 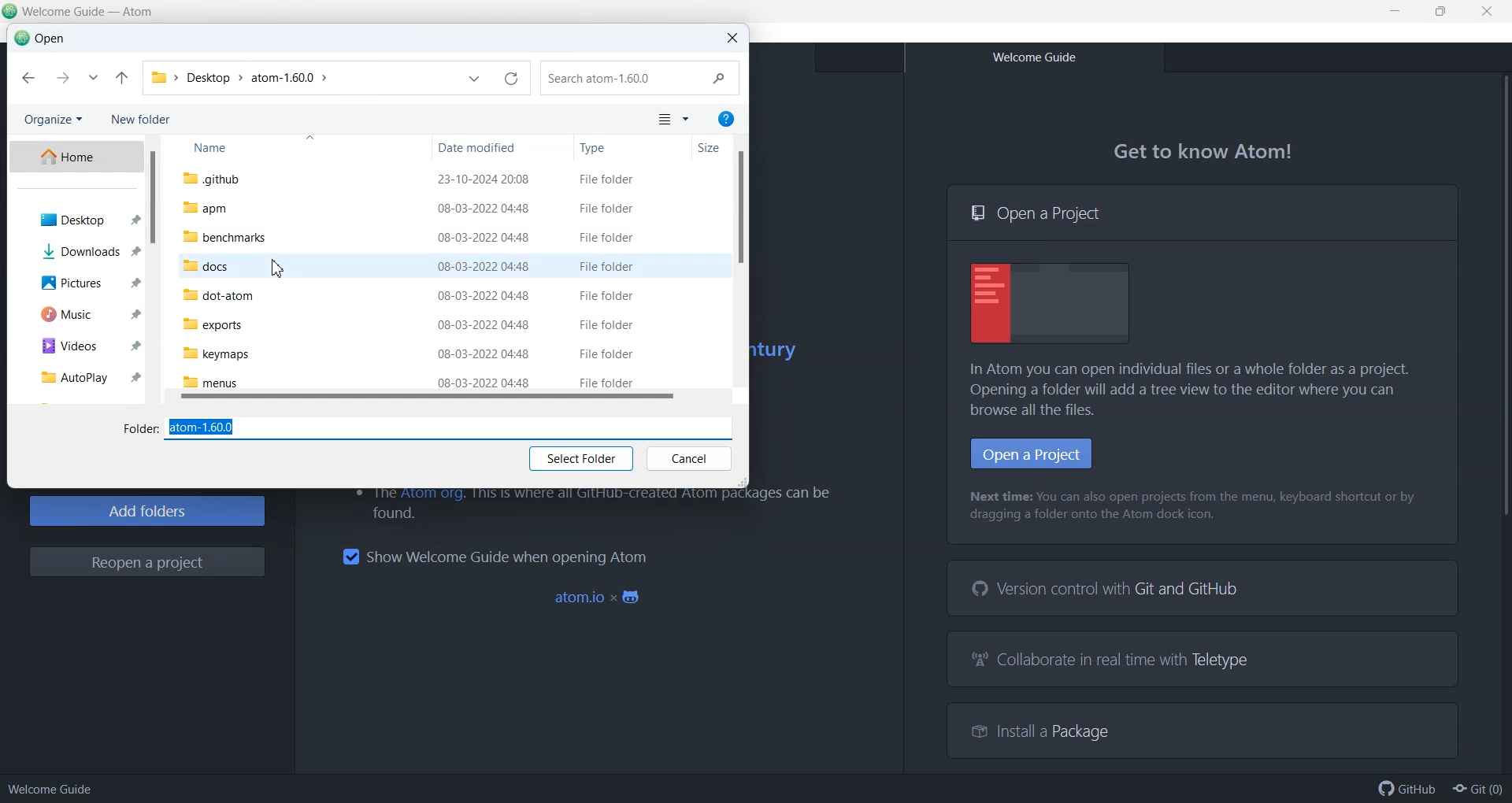 What do you see at coordinates (77, 282) in the screenshot?
I see `Picture` at bounding box center [77, 282].